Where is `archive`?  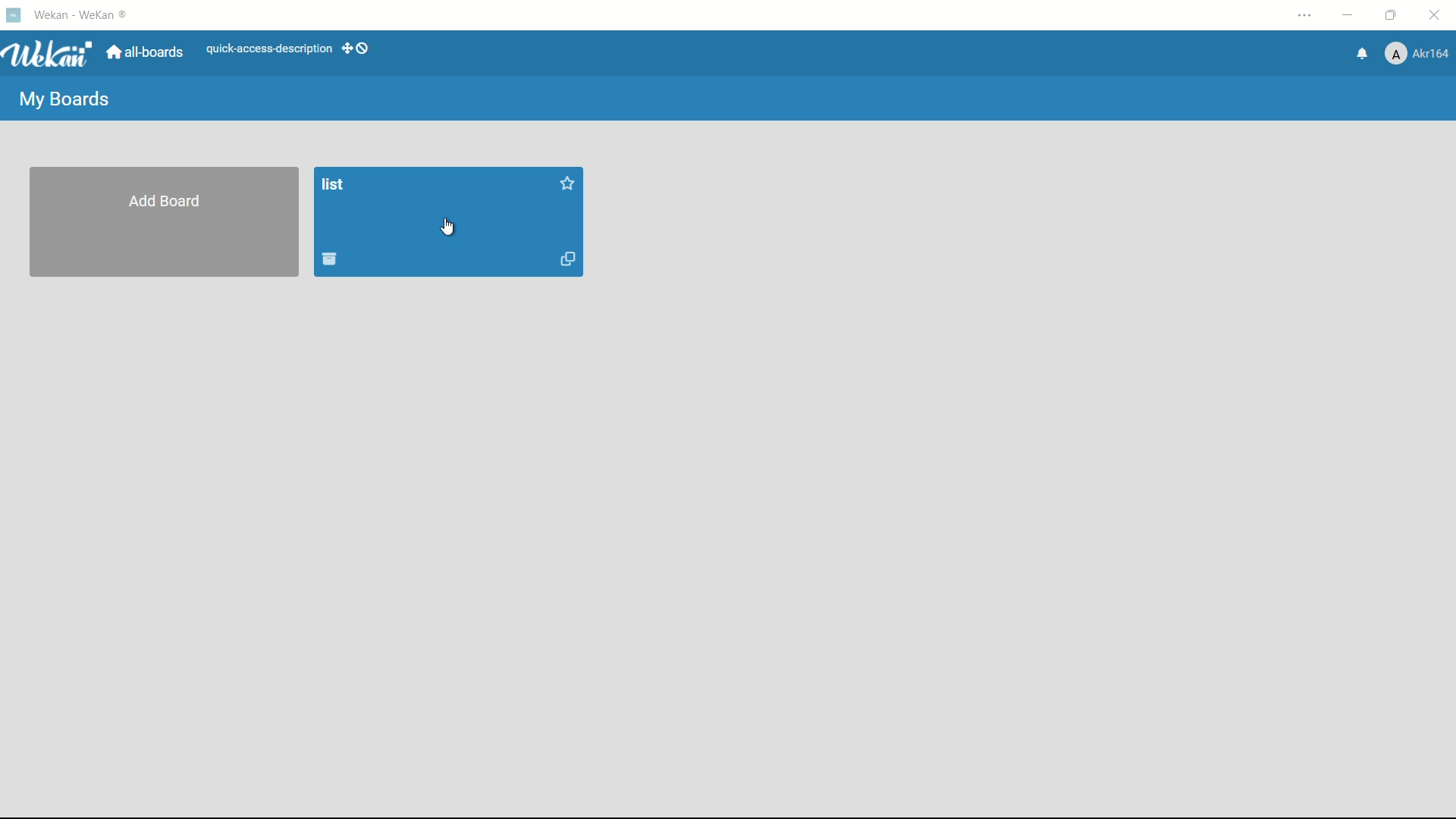 archive is located at coordinates (331, 260).